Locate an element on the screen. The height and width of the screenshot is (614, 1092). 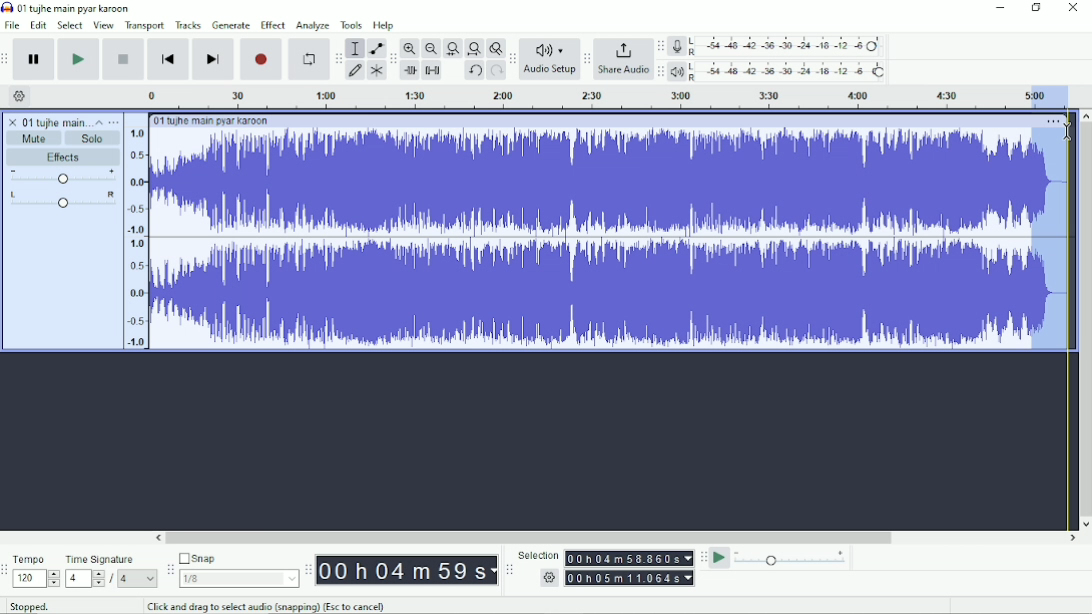
Selection is located at coordinates (538, 553).